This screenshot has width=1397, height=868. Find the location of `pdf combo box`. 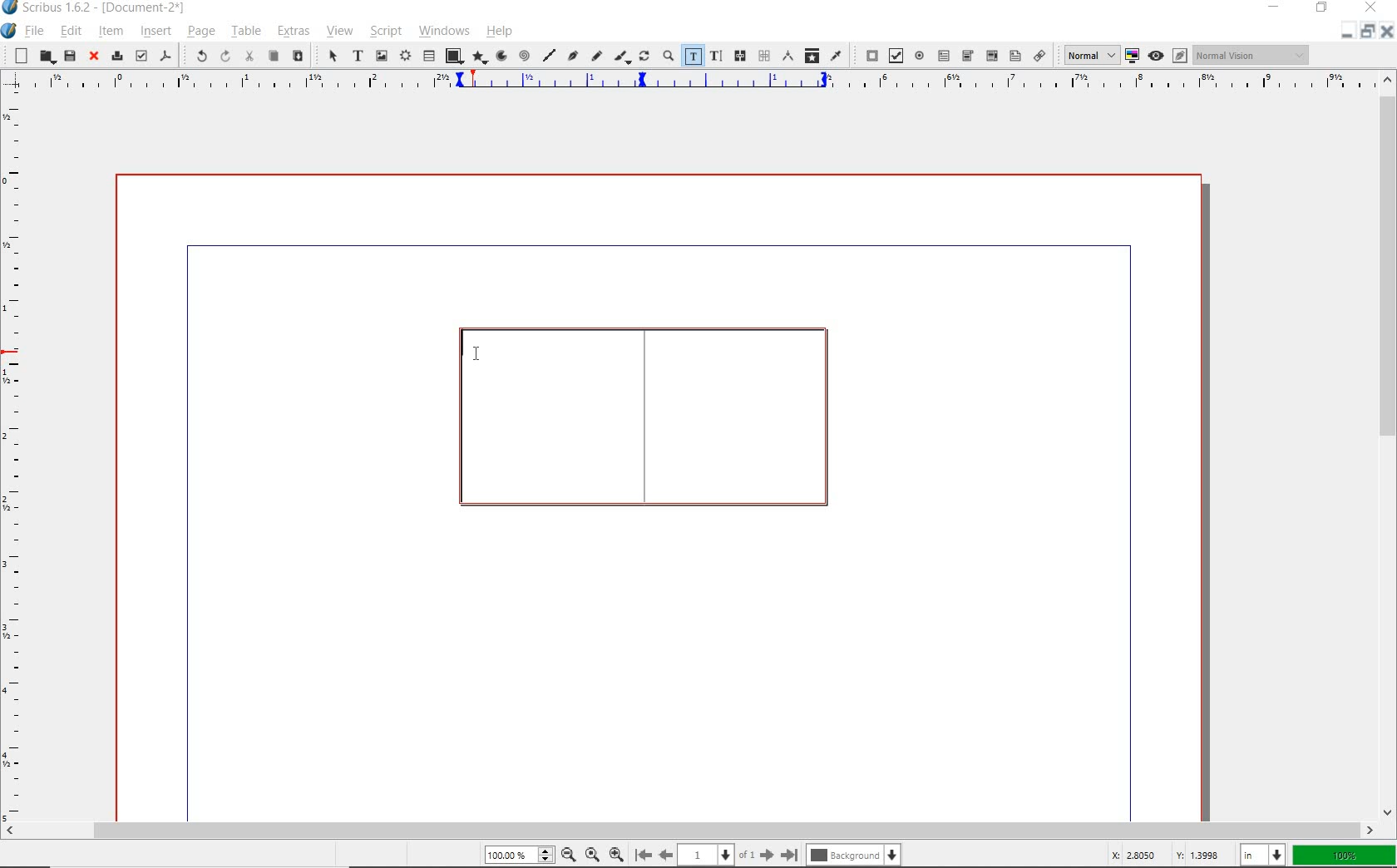

pdf combo box is located at coordinates (968, 56).